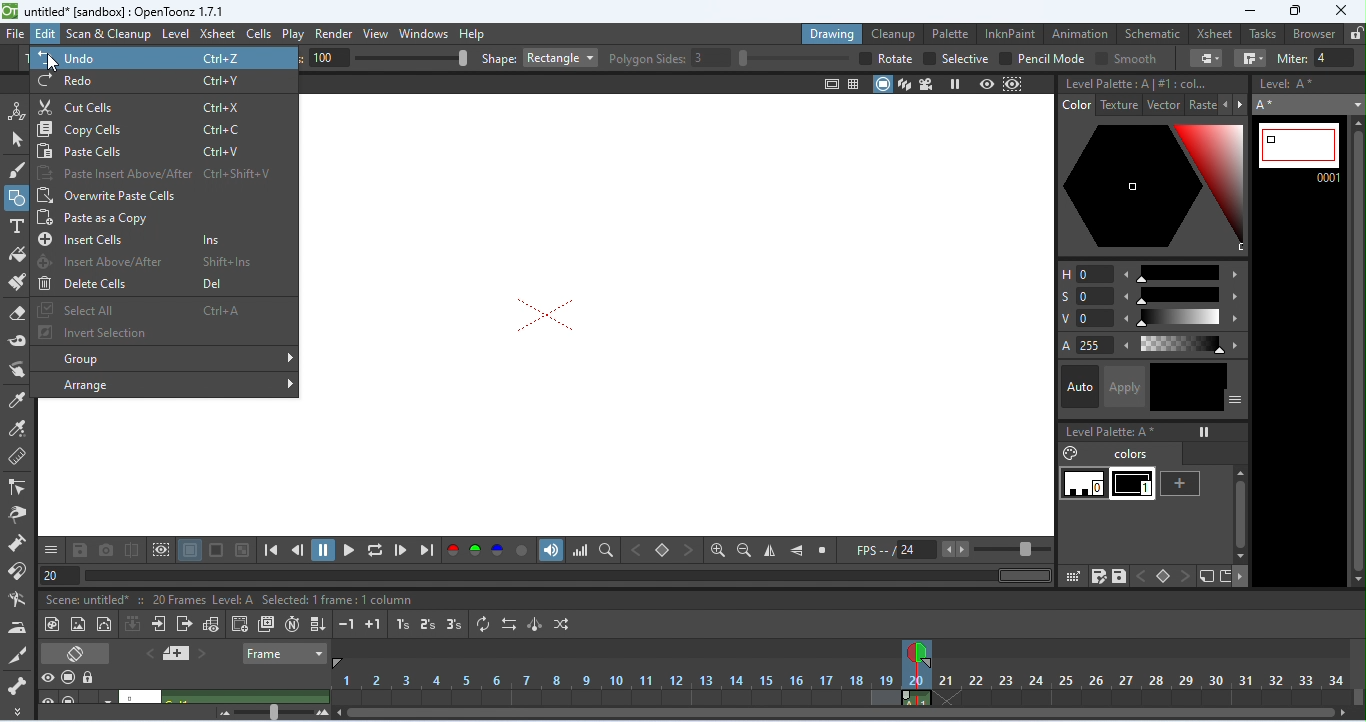 This screenshot has width=1366, height=722. I want to click on file, so click(14, 33).